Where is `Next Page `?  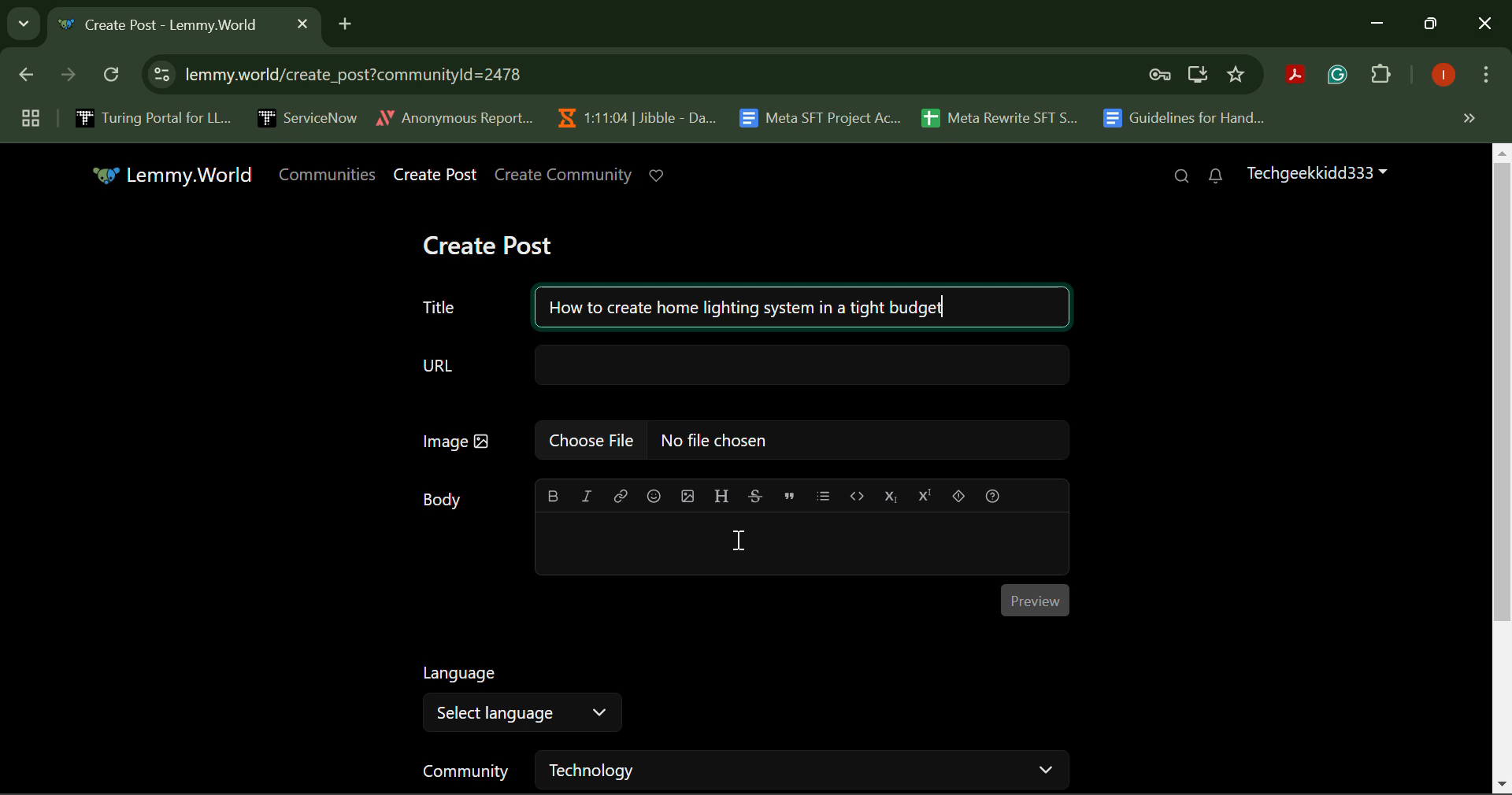
Next Page  is located at coordinates (66, 79).